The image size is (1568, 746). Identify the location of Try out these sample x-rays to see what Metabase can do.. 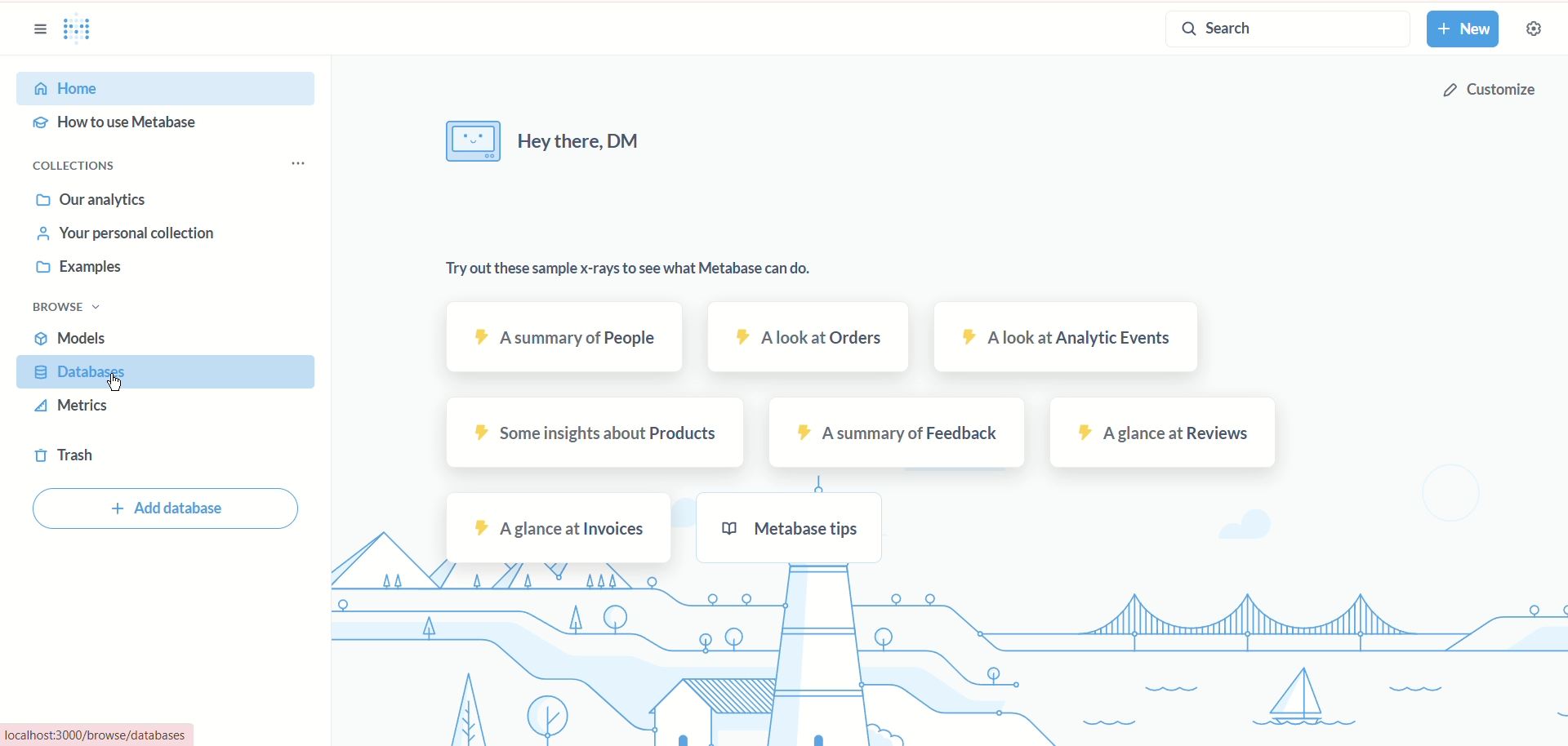
(629, 269).